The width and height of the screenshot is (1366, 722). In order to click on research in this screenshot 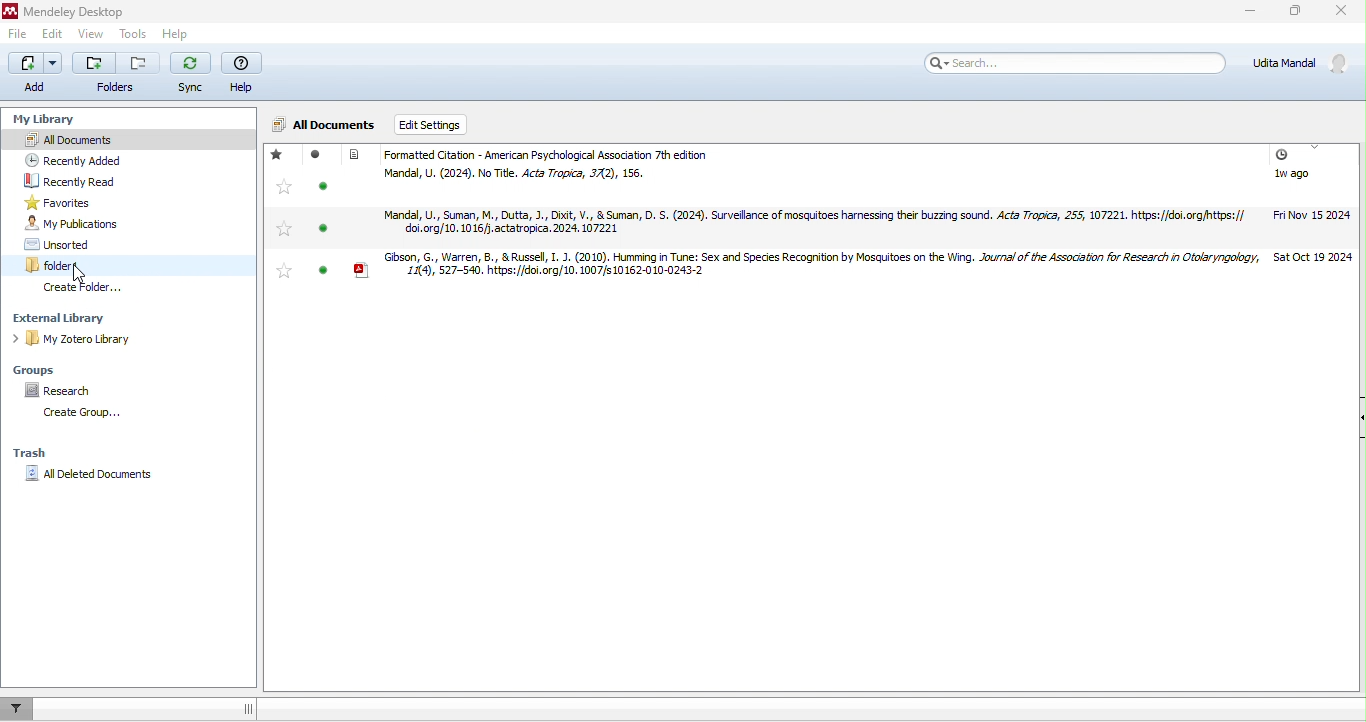, I will do `click(61, 390)`.